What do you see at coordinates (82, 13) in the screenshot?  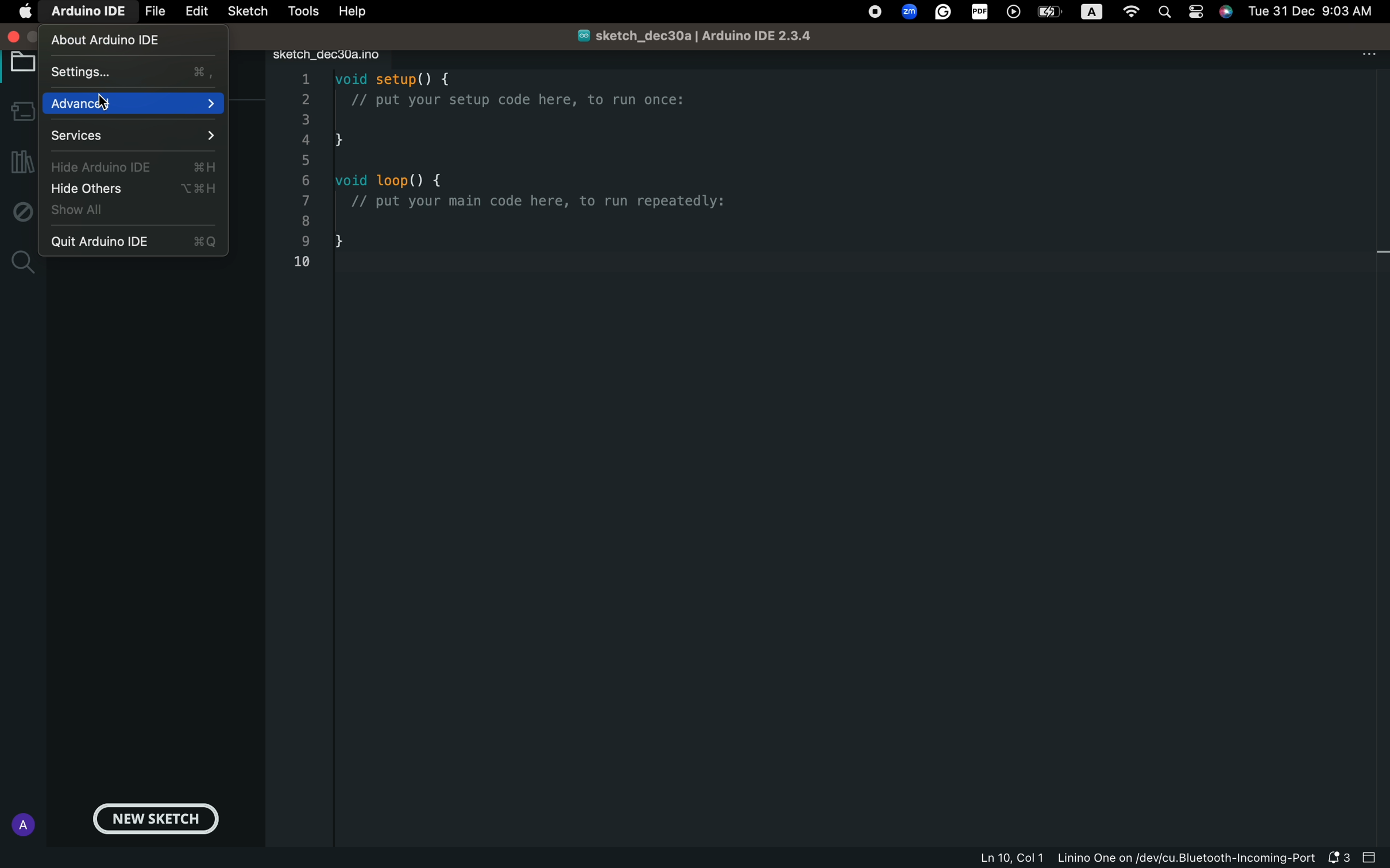 I see `arduino ide` at bounding box center [82, 13].